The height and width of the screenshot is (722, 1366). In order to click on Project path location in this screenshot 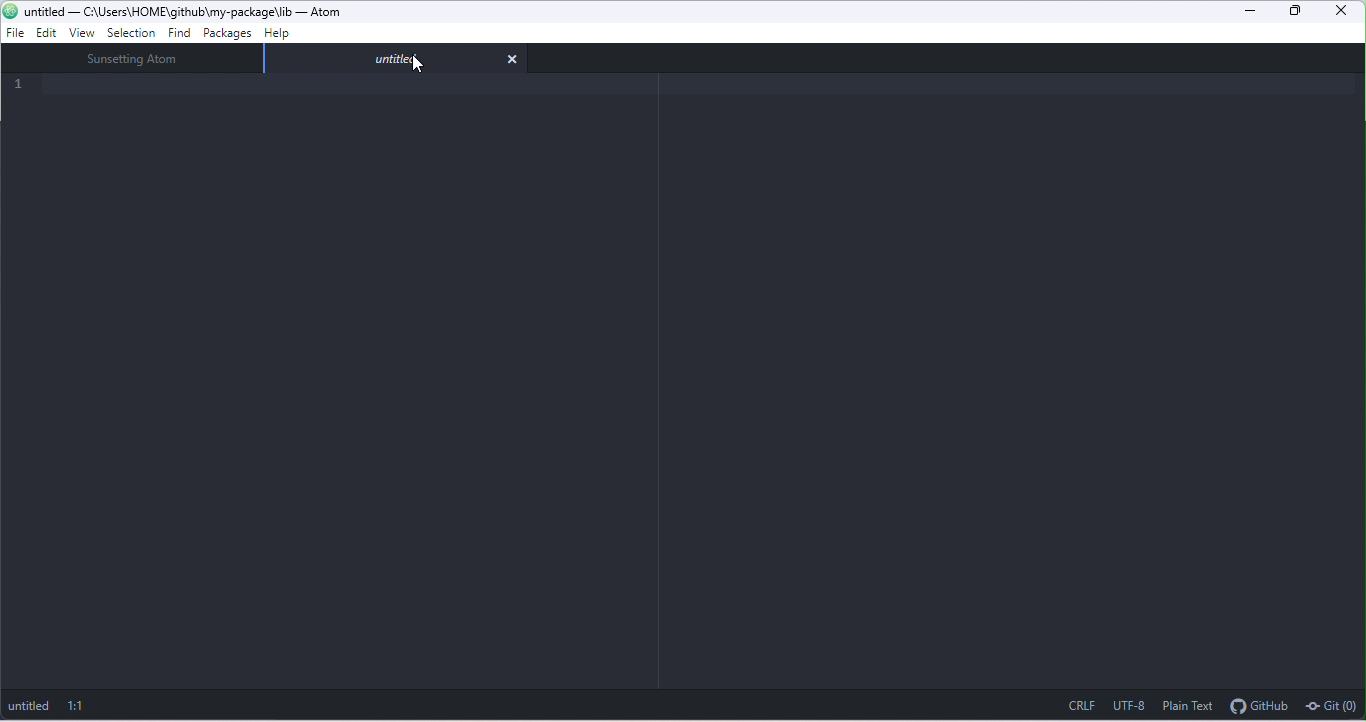, I will do `click(263, 11)`.